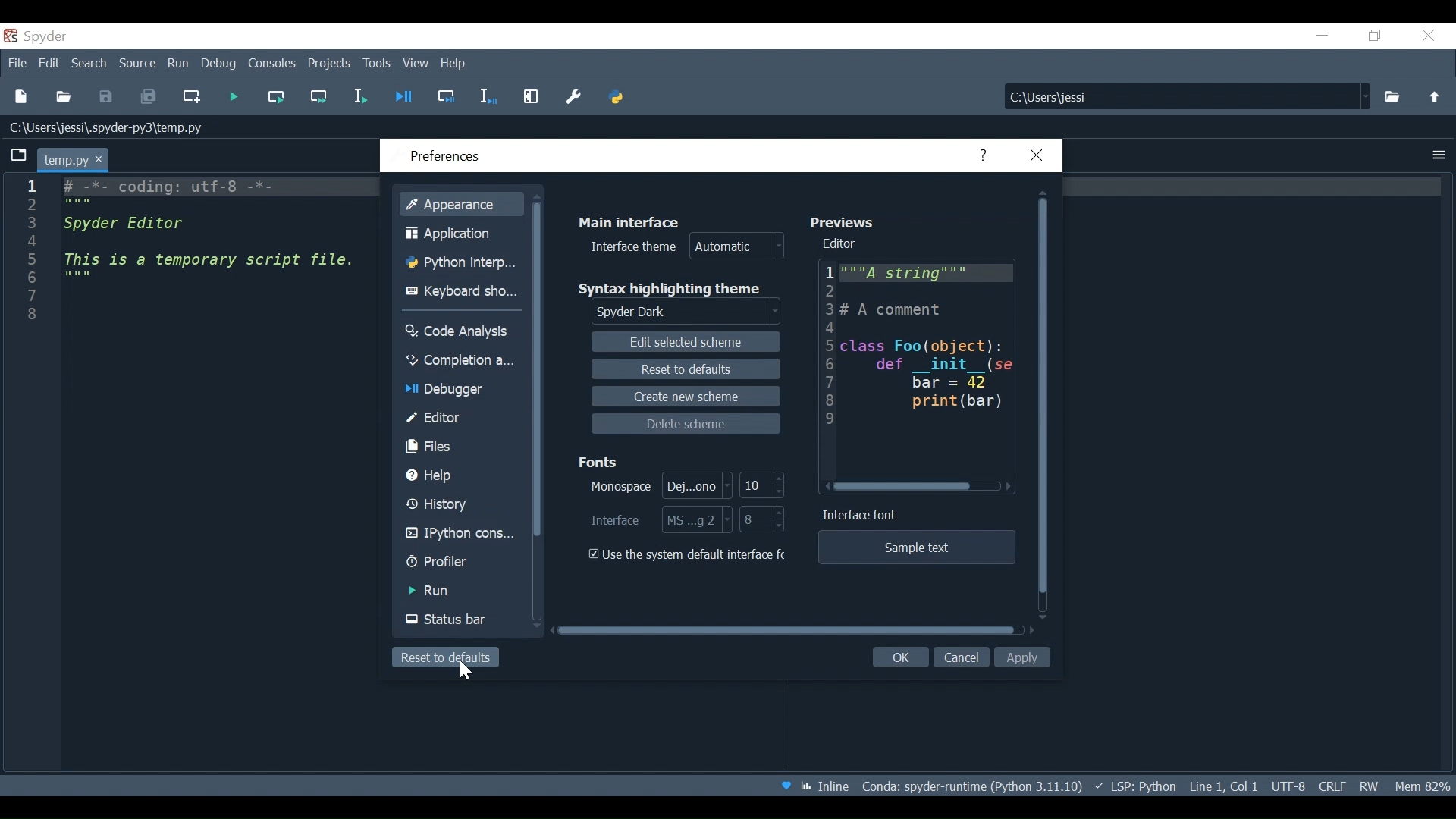  Describe the element at coordinates (465, 203) in the screenshot. I see `Appearance` at that location.